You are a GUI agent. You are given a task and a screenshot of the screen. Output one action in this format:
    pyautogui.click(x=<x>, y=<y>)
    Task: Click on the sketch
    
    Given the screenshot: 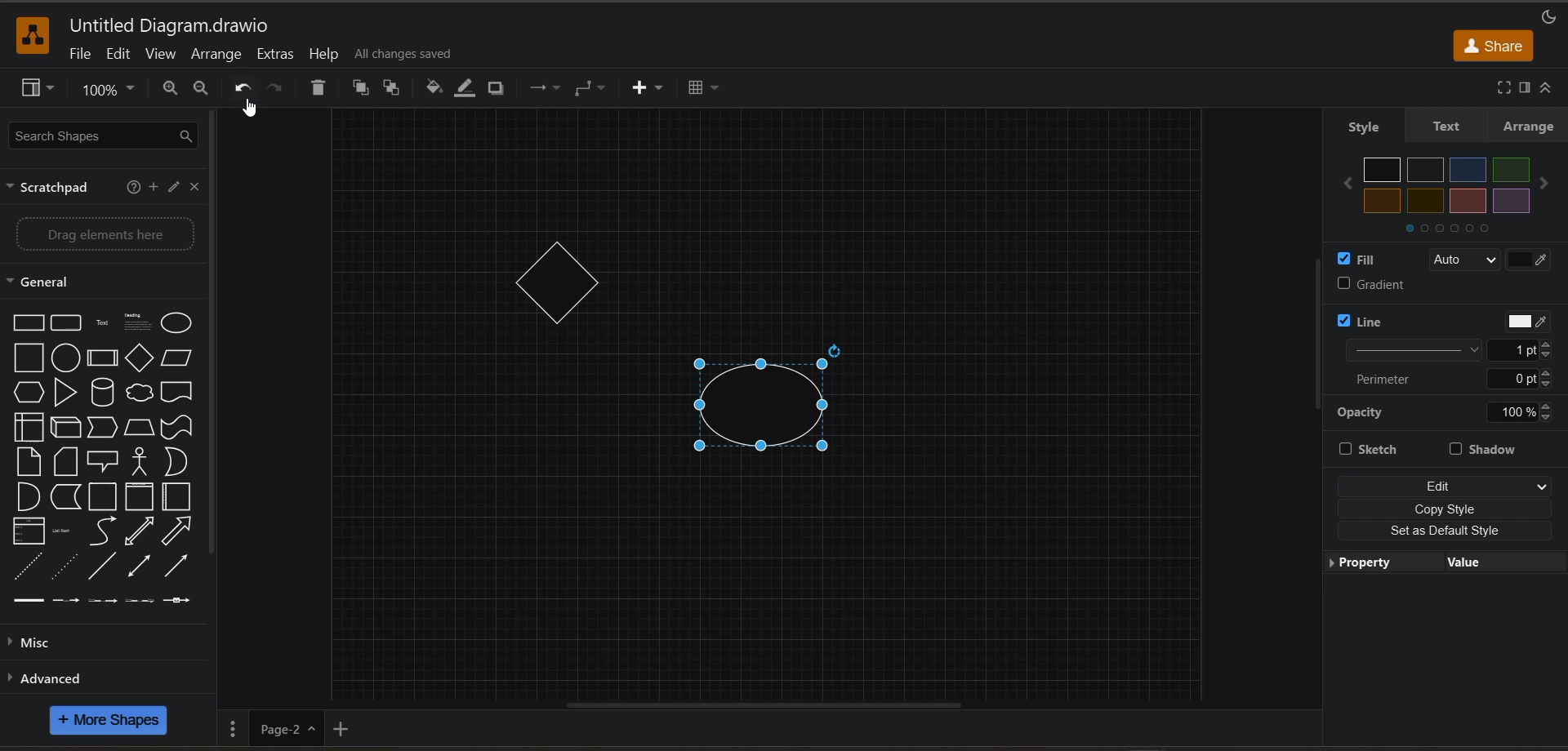 What is the action you would take?
    pyautogui.click(x=1373, y=449)
    